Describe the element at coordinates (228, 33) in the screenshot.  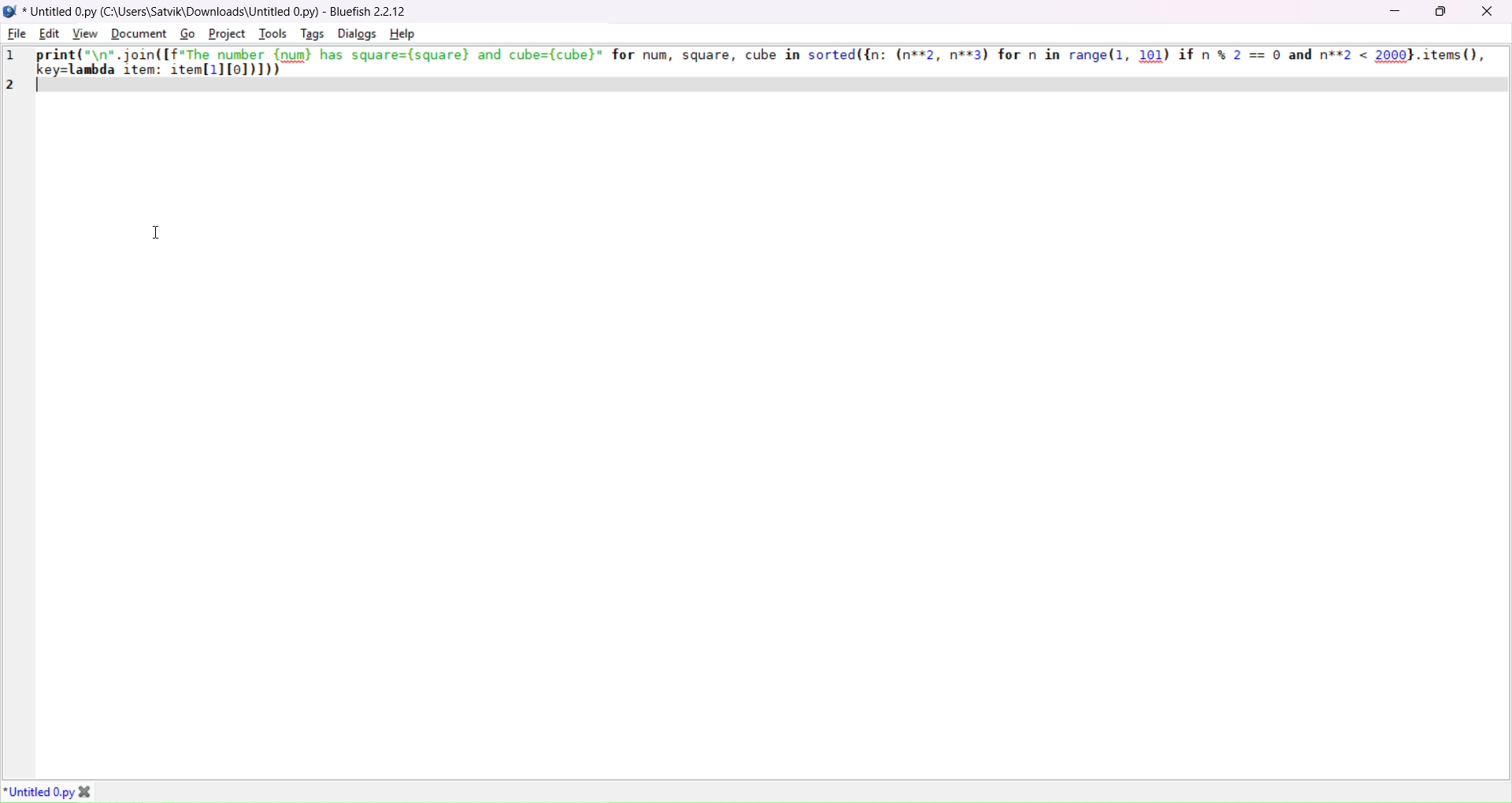
I see `project` at that location.